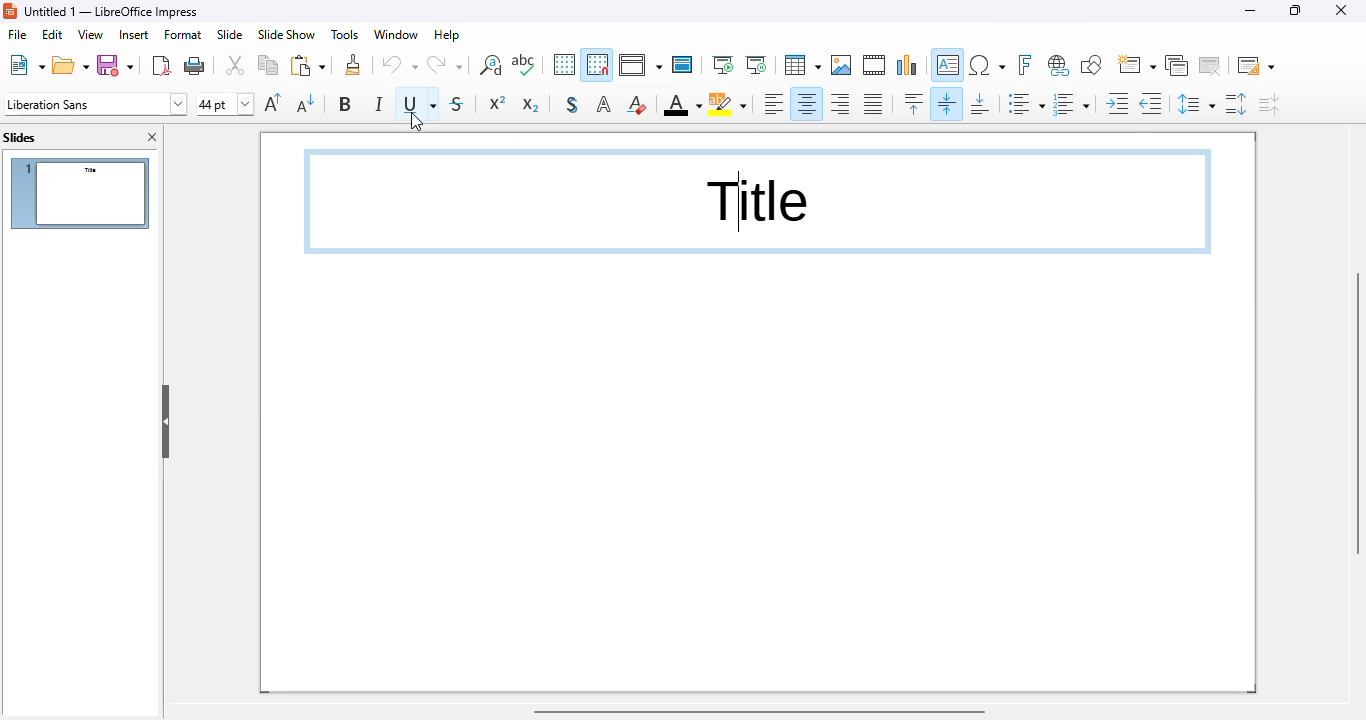 This screenshot has width=1366, height=720. Describe the element at coordinates (841, 104) in the screenshot. I see `align right` at that location.